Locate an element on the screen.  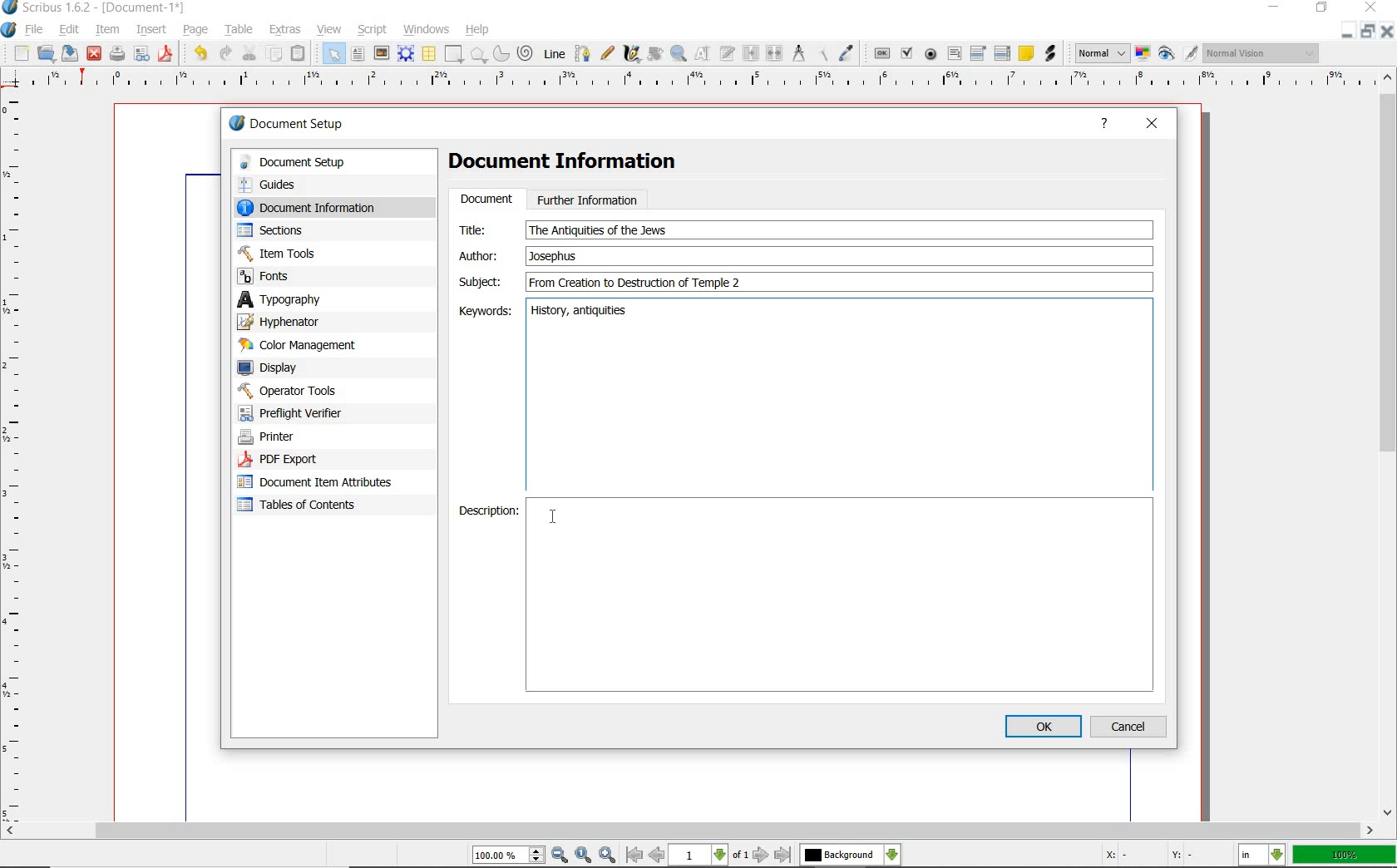
author: is located at coordinates (481, 255).